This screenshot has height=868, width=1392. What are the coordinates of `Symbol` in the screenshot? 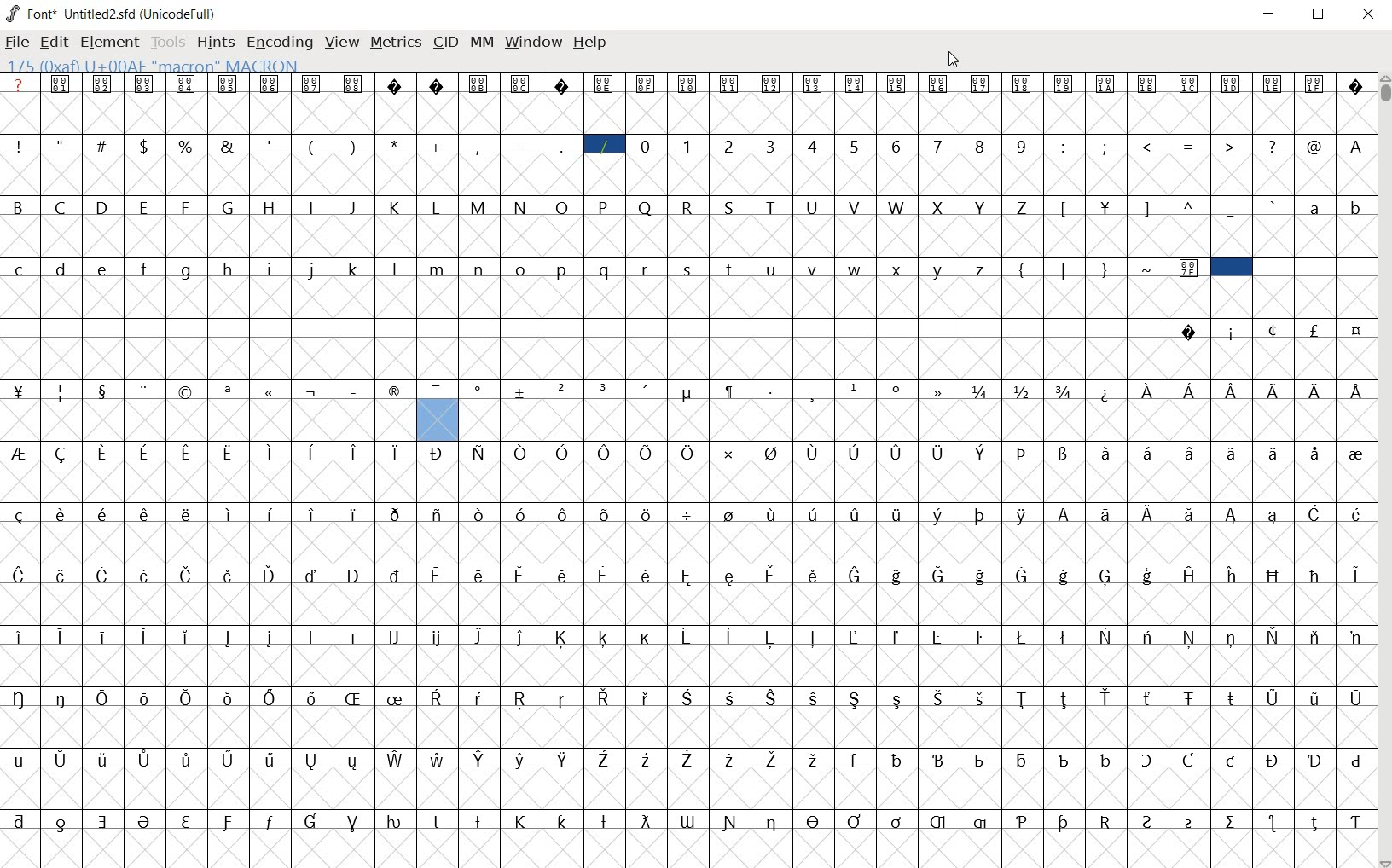 It's located at (148, 575).